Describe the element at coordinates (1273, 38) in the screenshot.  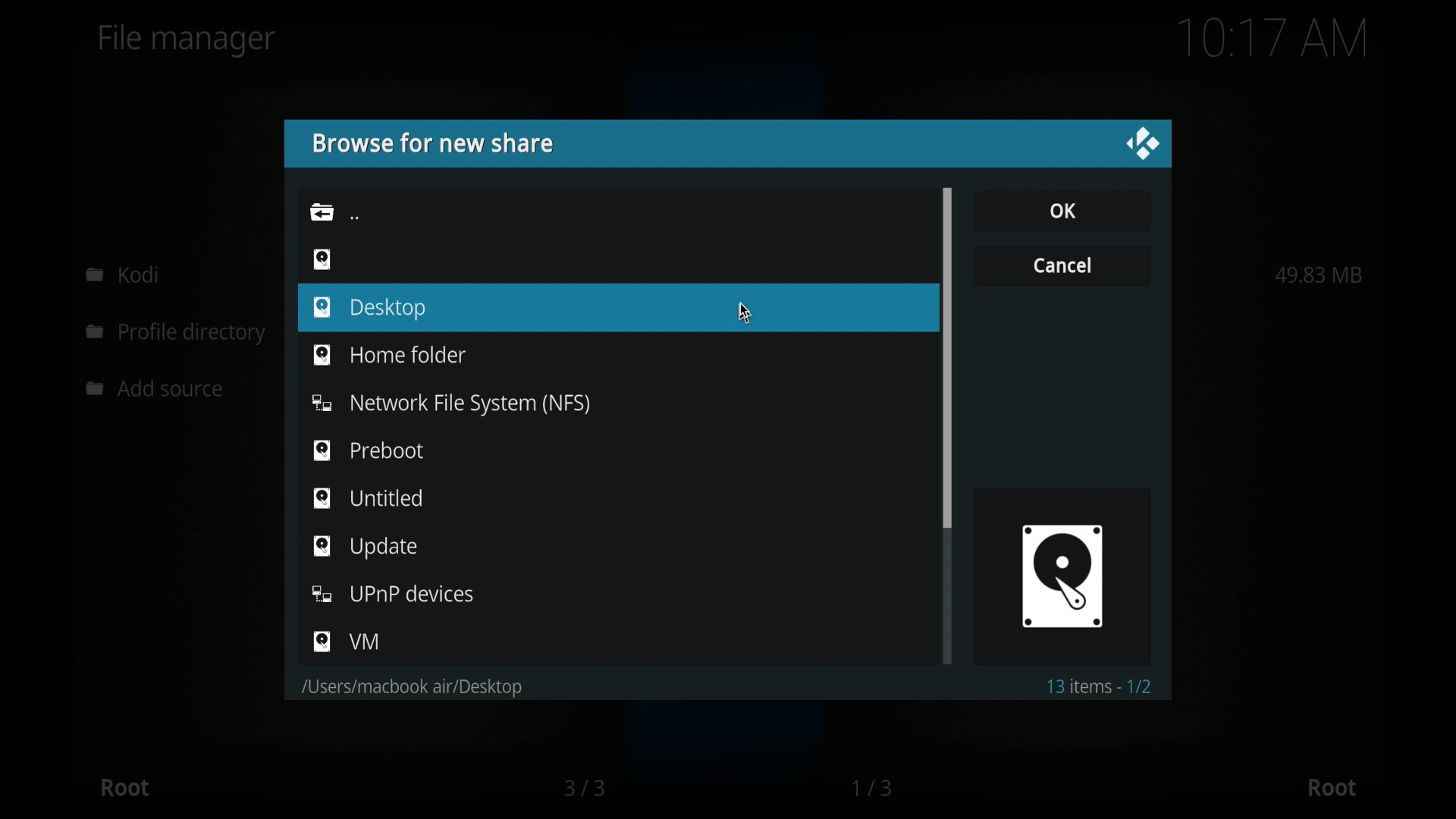
I see `10.16 am` at that location.